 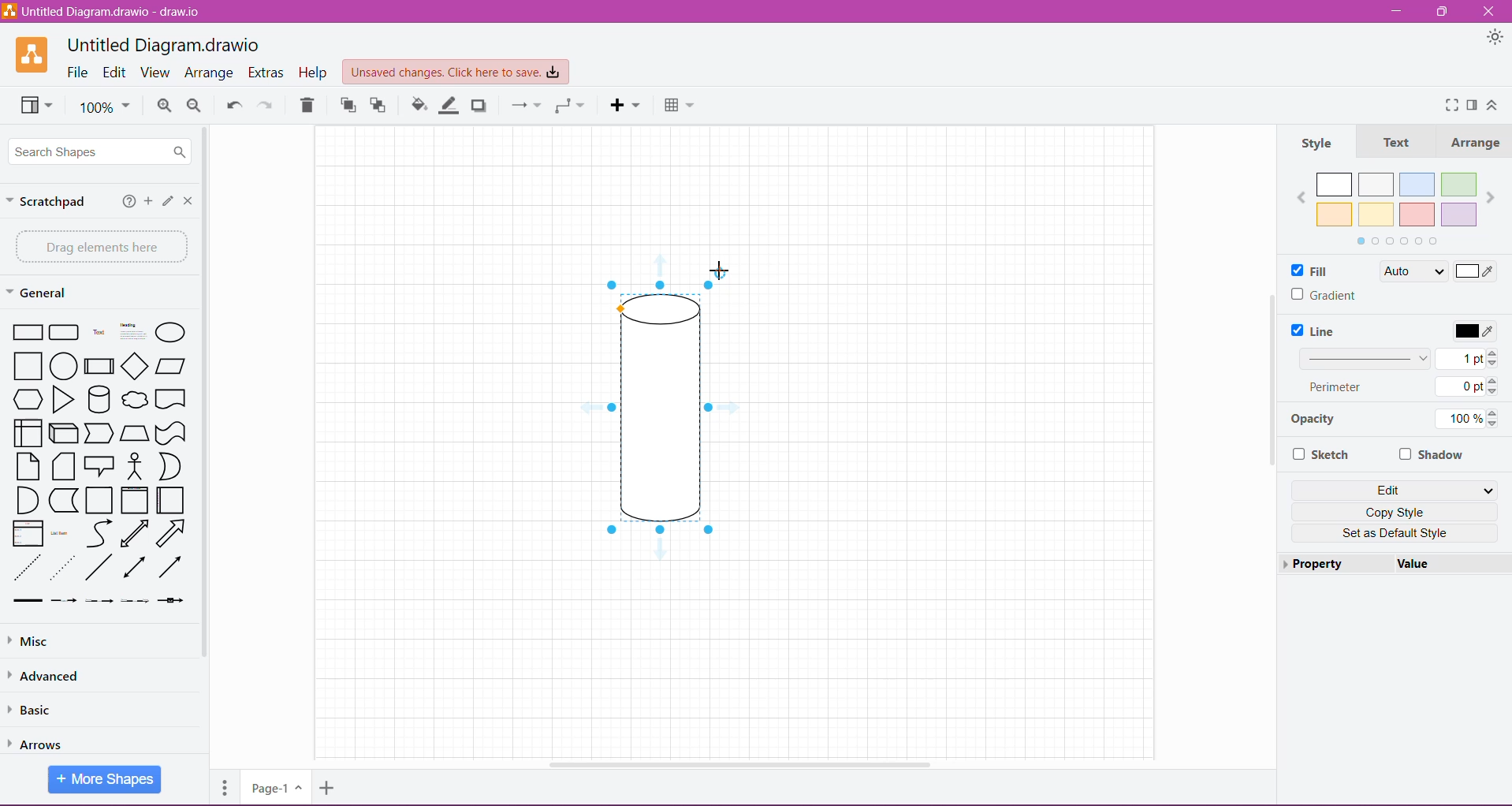 I want to click on Cursor on Shape, so click(x=730, y=281).